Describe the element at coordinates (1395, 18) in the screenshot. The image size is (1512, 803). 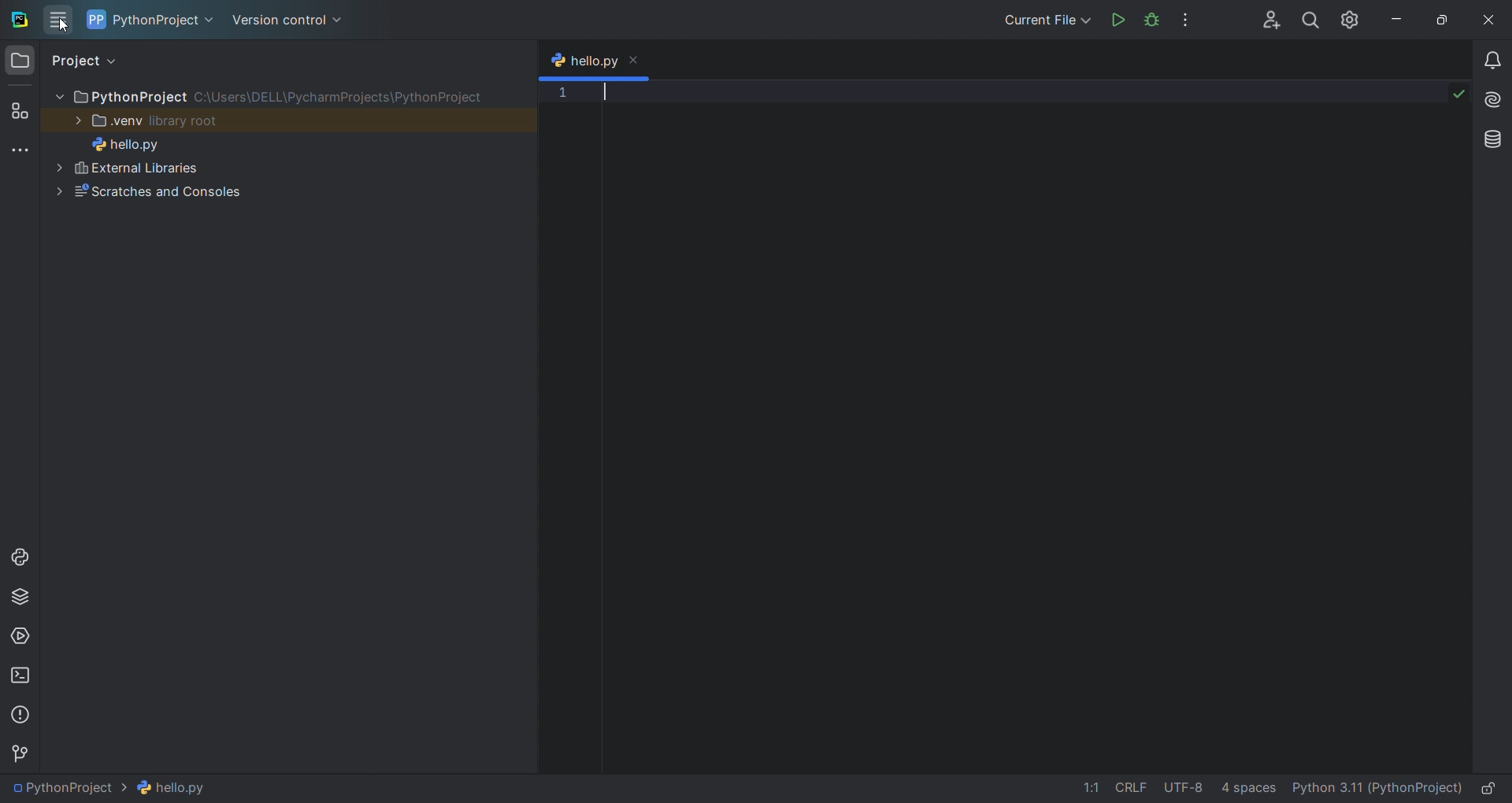
I see `minimize` at that location.